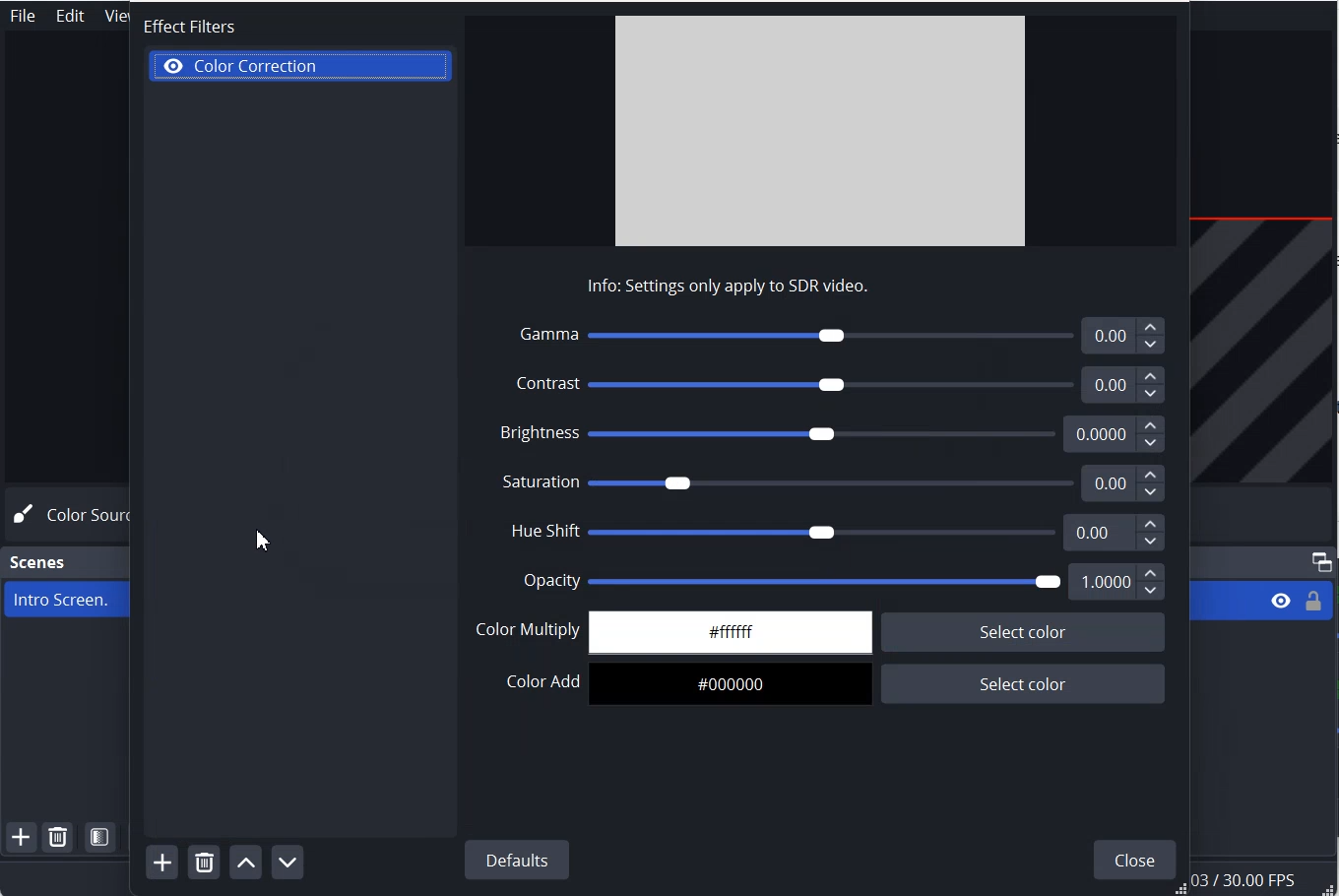 This screenshot has width=1339, height=896. I want to click on File Preview window, so click(818, 129).